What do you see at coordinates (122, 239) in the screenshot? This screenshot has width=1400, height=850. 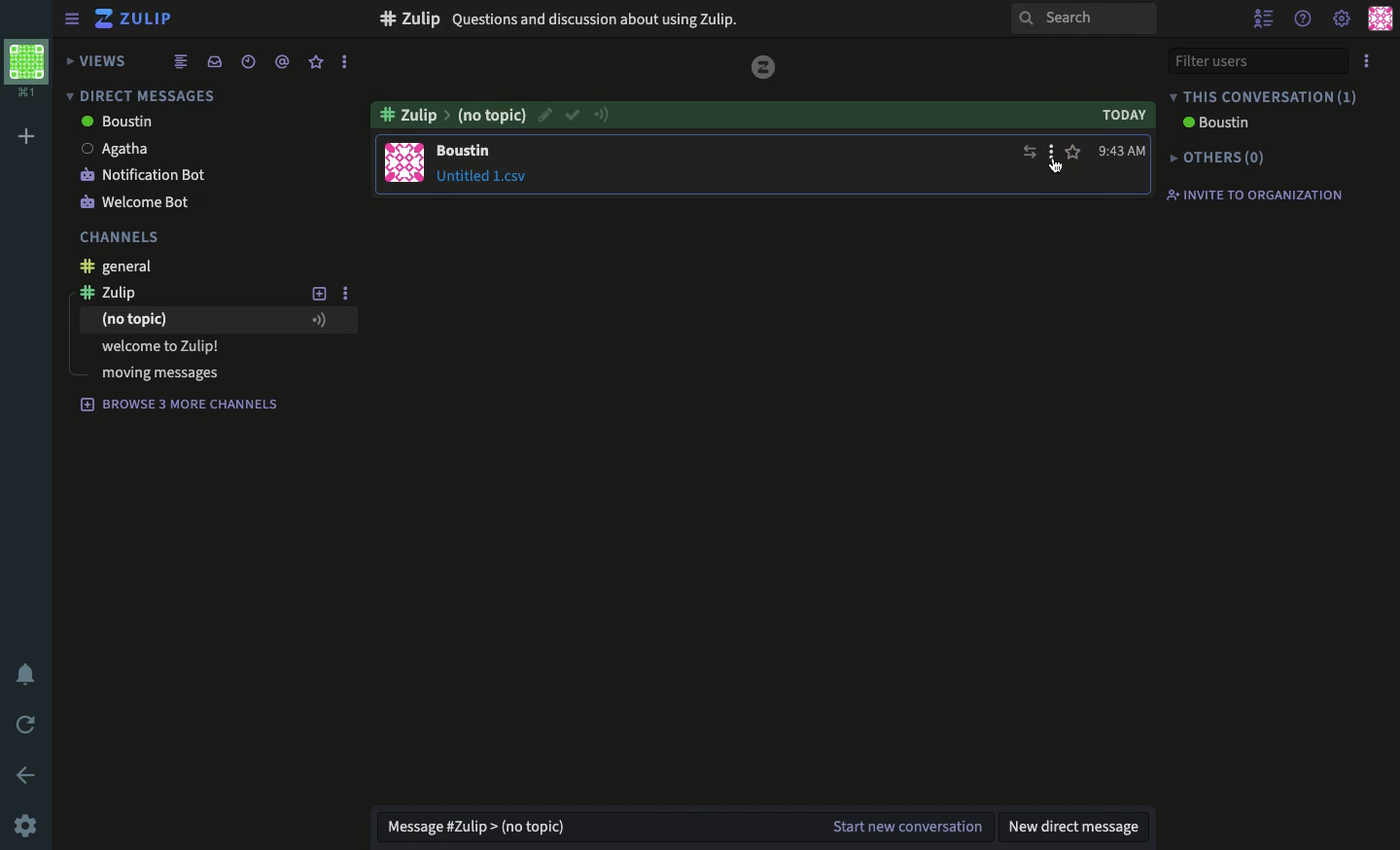 I see `channels` at bounding box center [122, 239].